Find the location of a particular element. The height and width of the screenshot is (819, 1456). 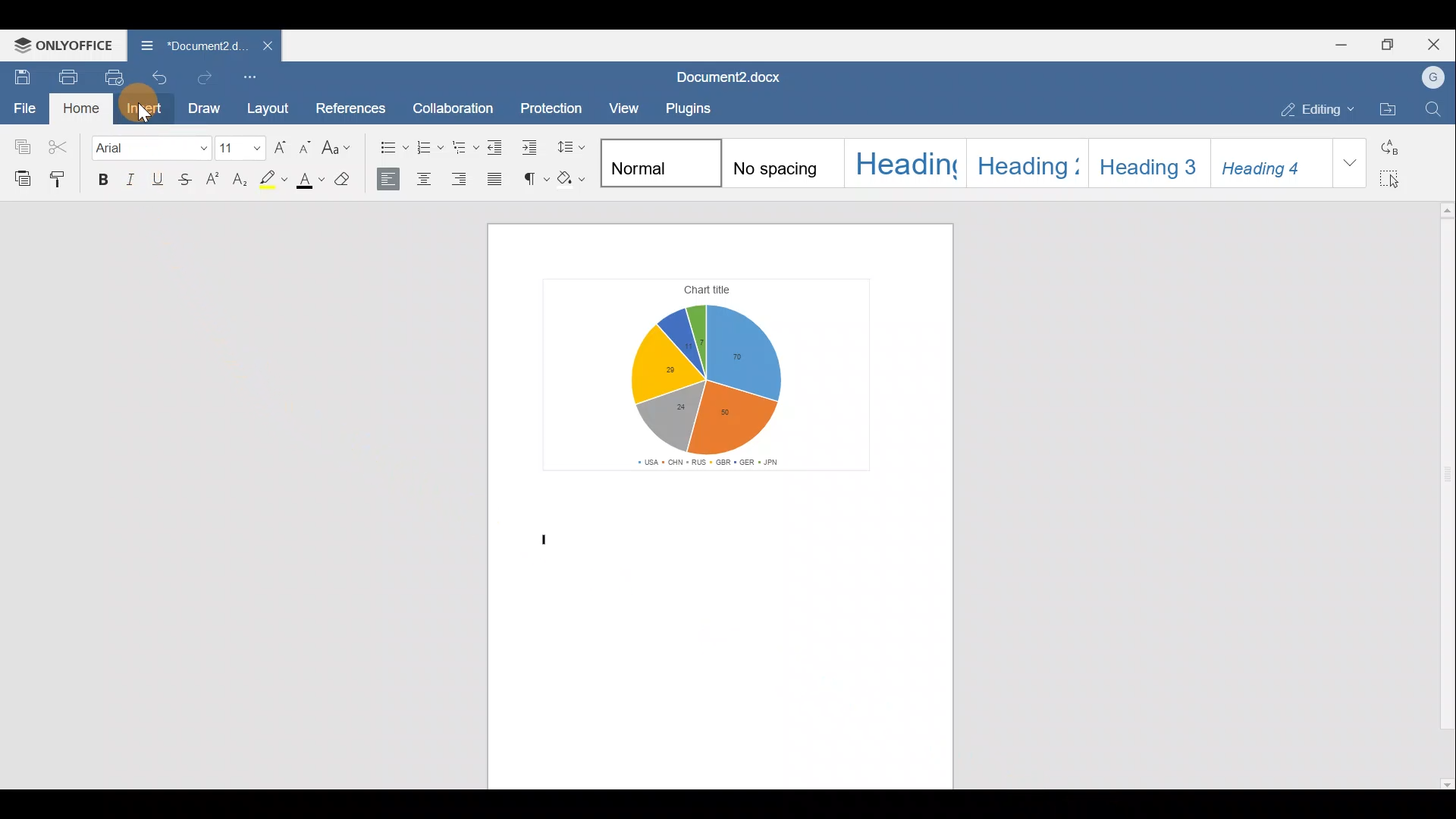

Layout is located at coordinates (268, 108).